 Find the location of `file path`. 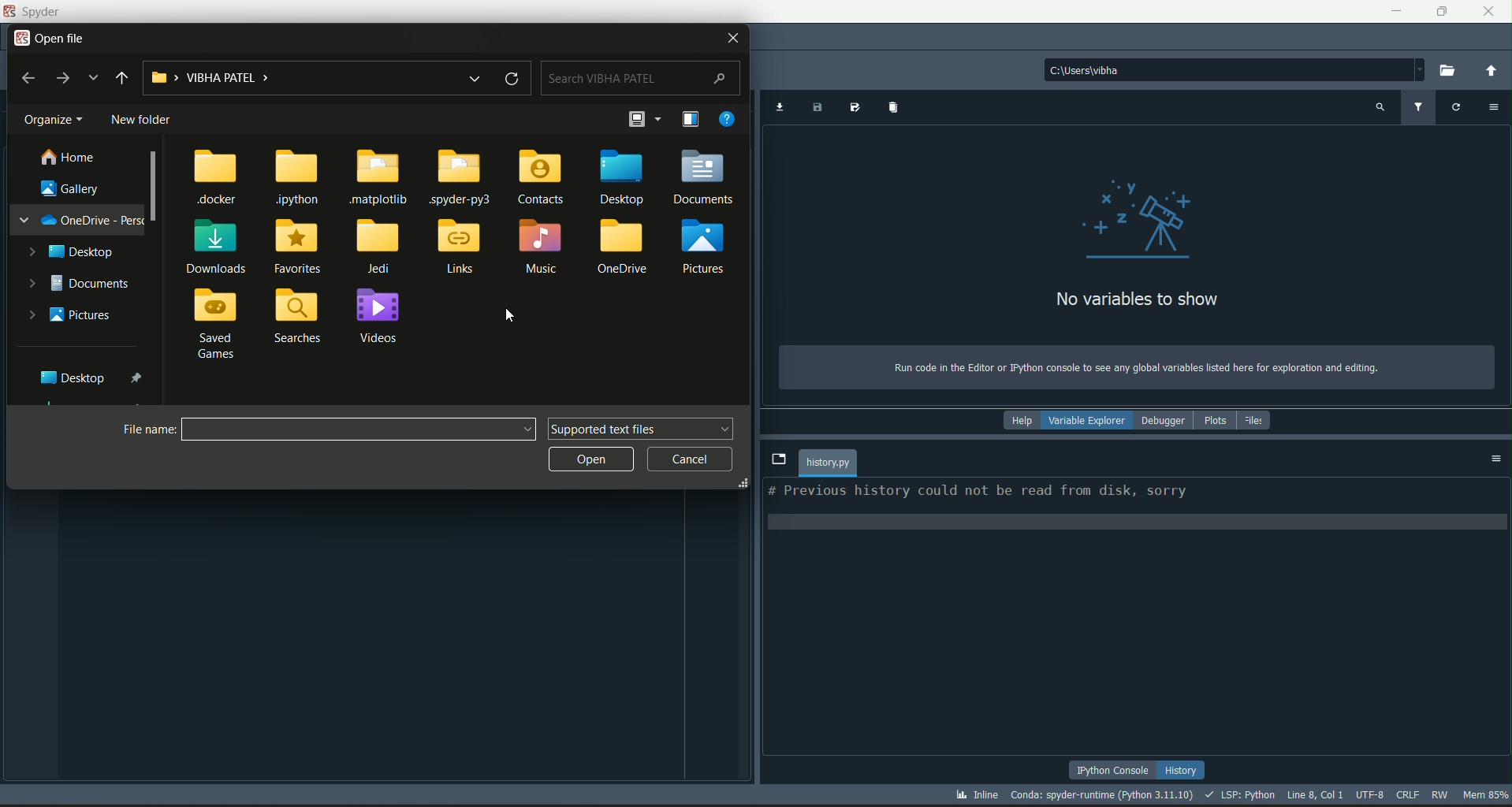

file path is located at coordinates (363, 430).